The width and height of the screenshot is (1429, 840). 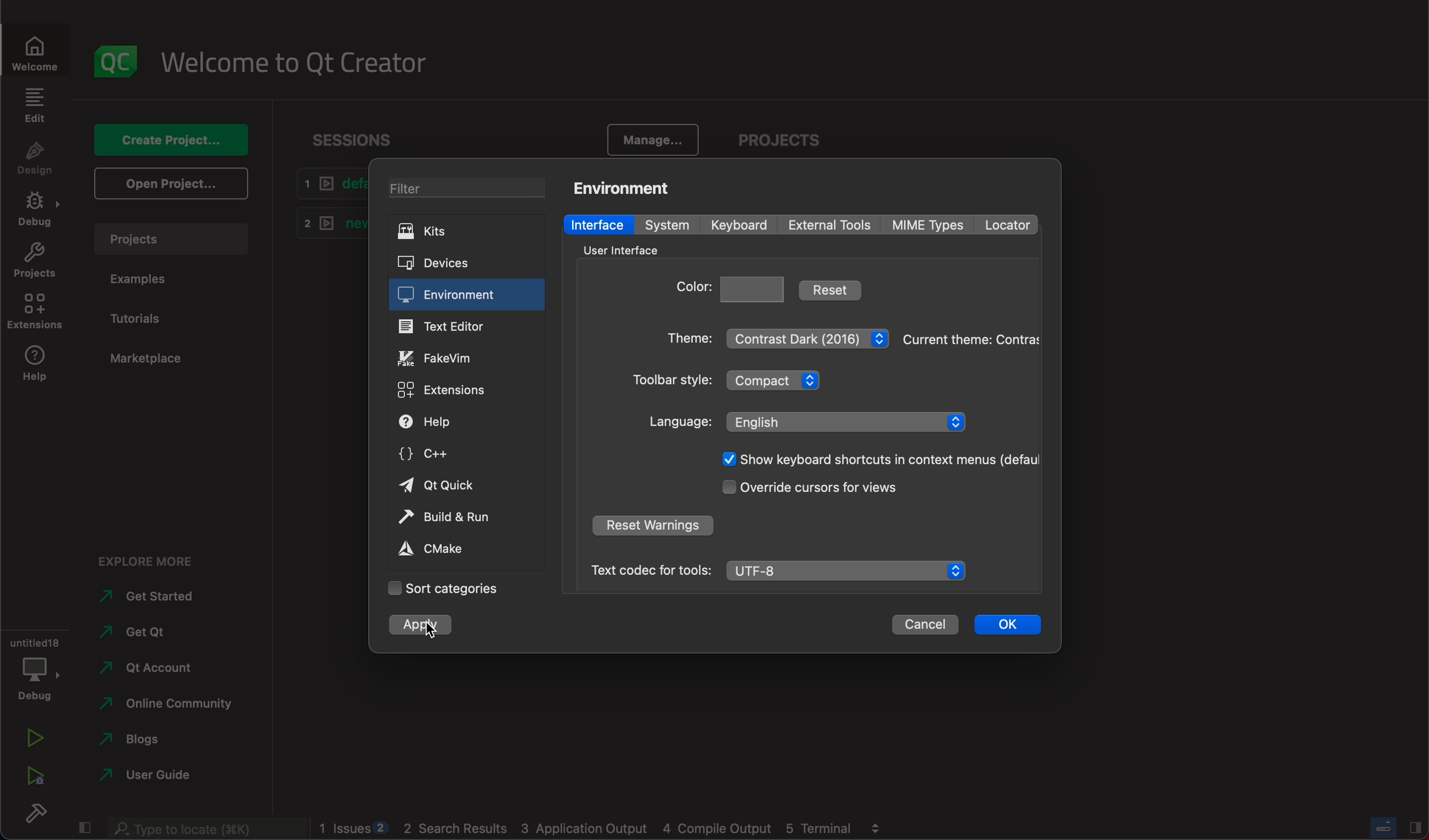 What do you see at coordinates (807, 421) in the screenshot?
I see `language` at bounding box center [807, 421].